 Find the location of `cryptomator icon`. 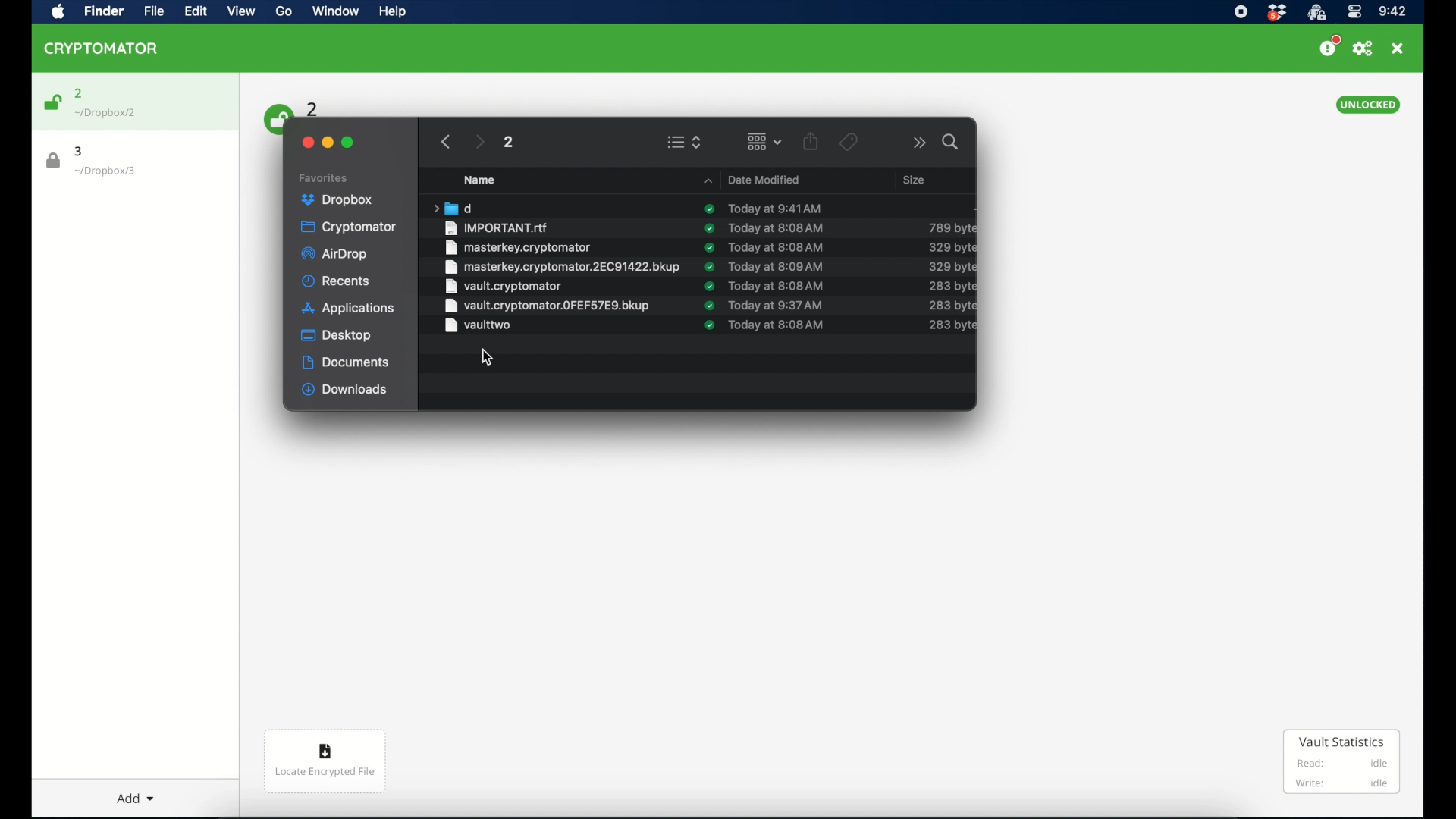

cryptomator icon is located at coordinates (1316, 13).